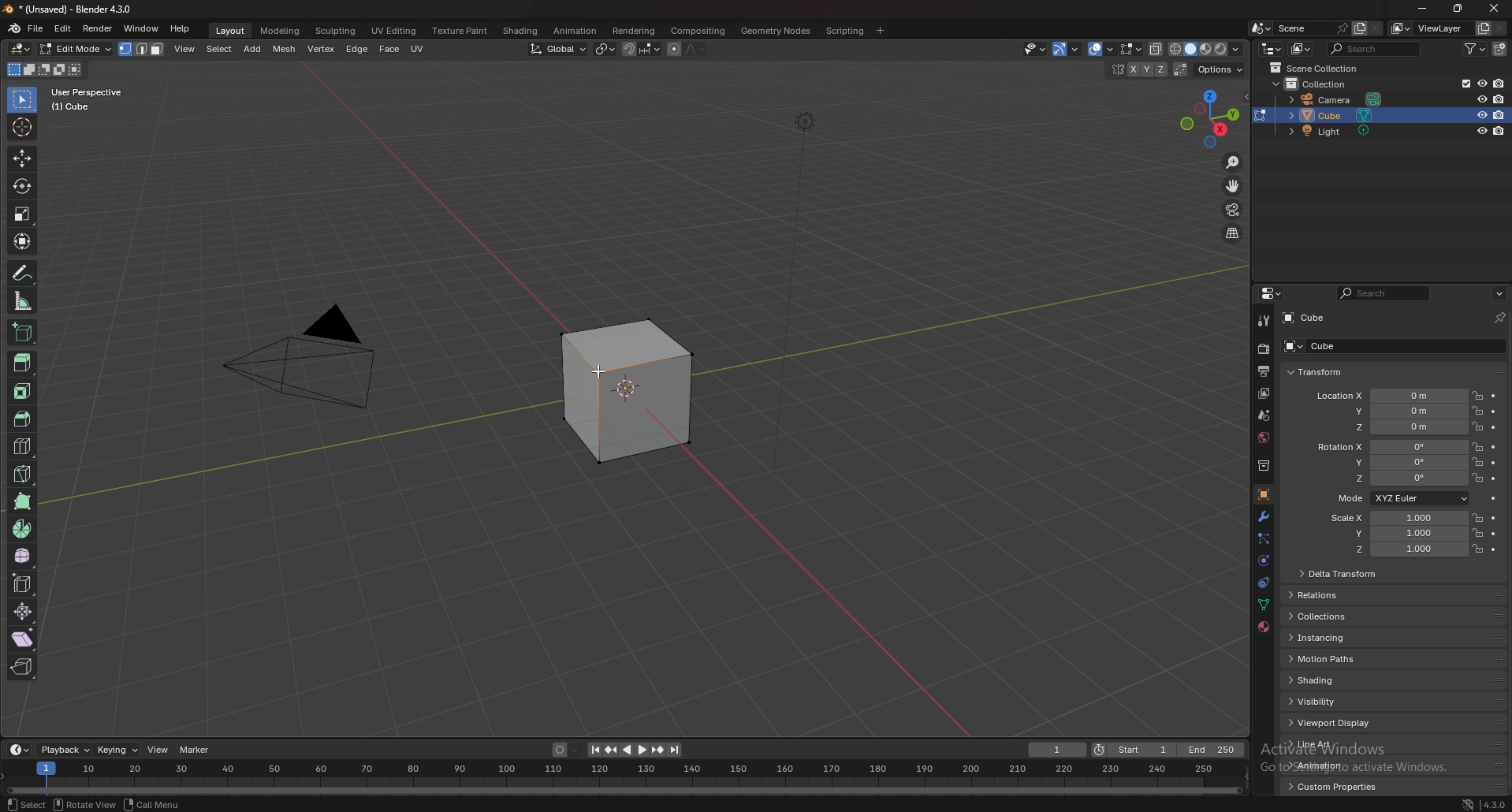 The width and height of the screenshot is (1512, 812). What do you see at coordinates (1456, 9) in the screenshot?
I see `resize` at bounding box center [1456, 9].